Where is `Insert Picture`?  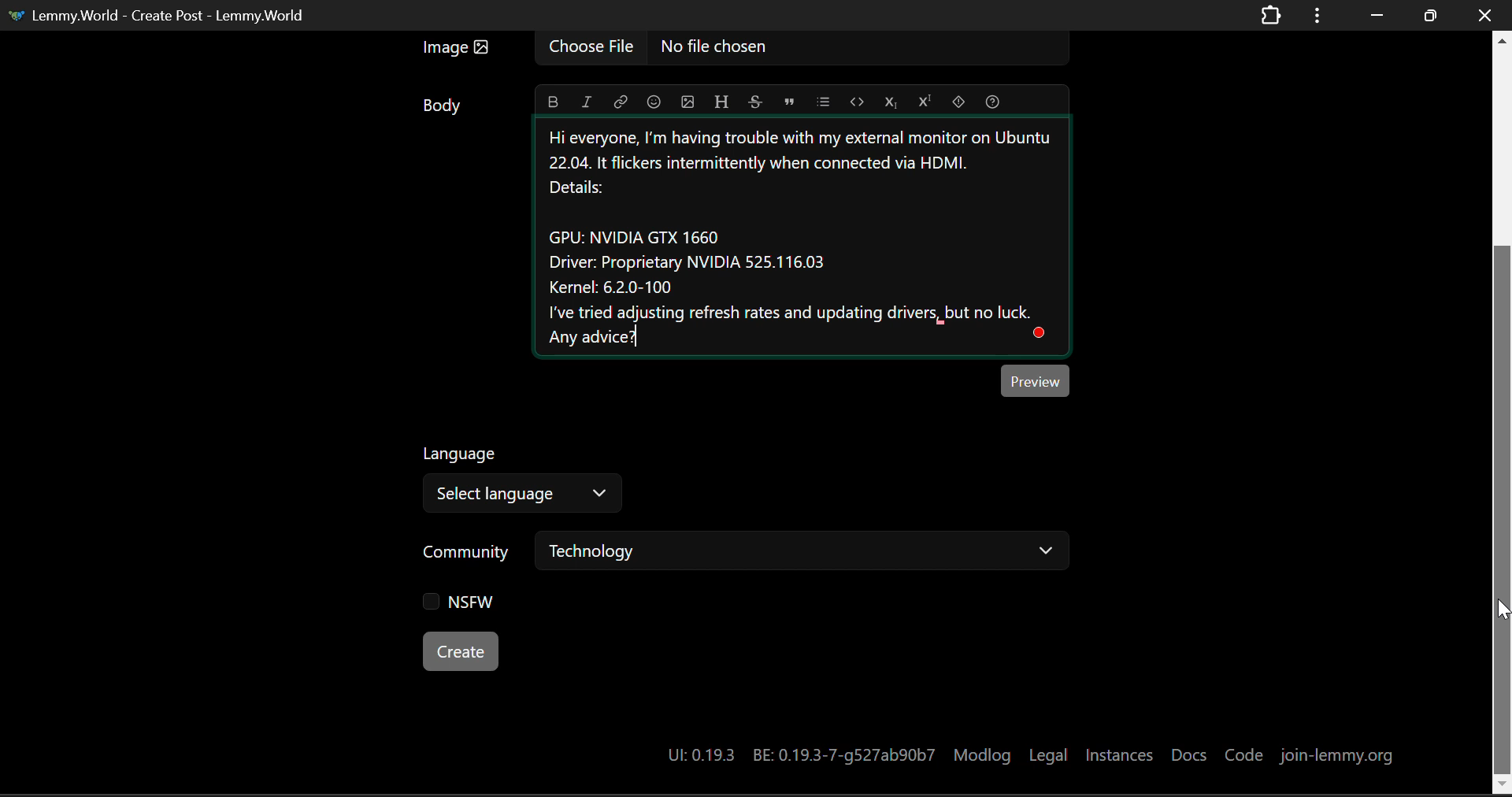
Insert Picture is located at coordinates (686, 99).